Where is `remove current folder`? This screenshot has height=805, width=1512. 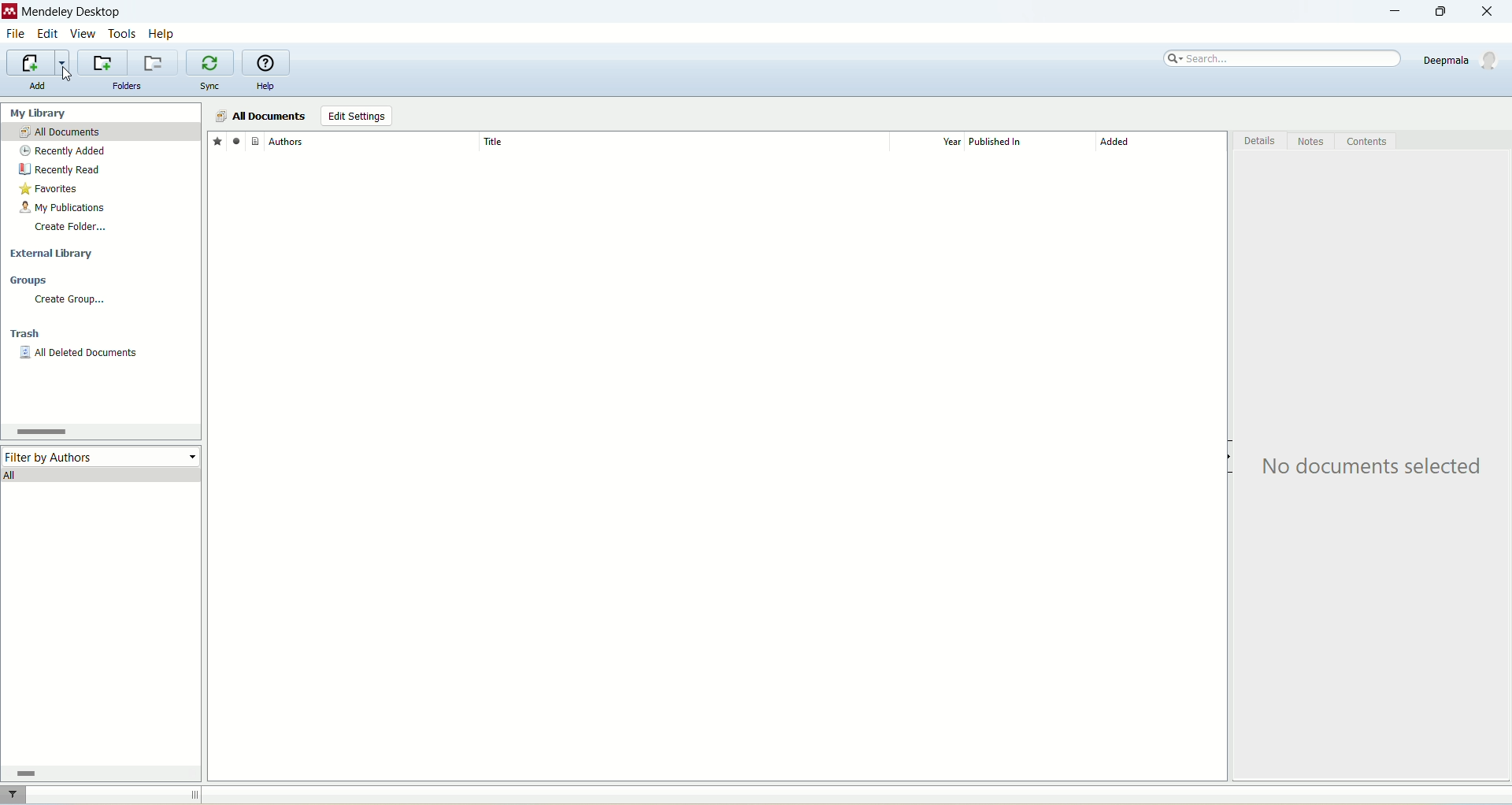
remove current folder is located at coordinates (155, 62).